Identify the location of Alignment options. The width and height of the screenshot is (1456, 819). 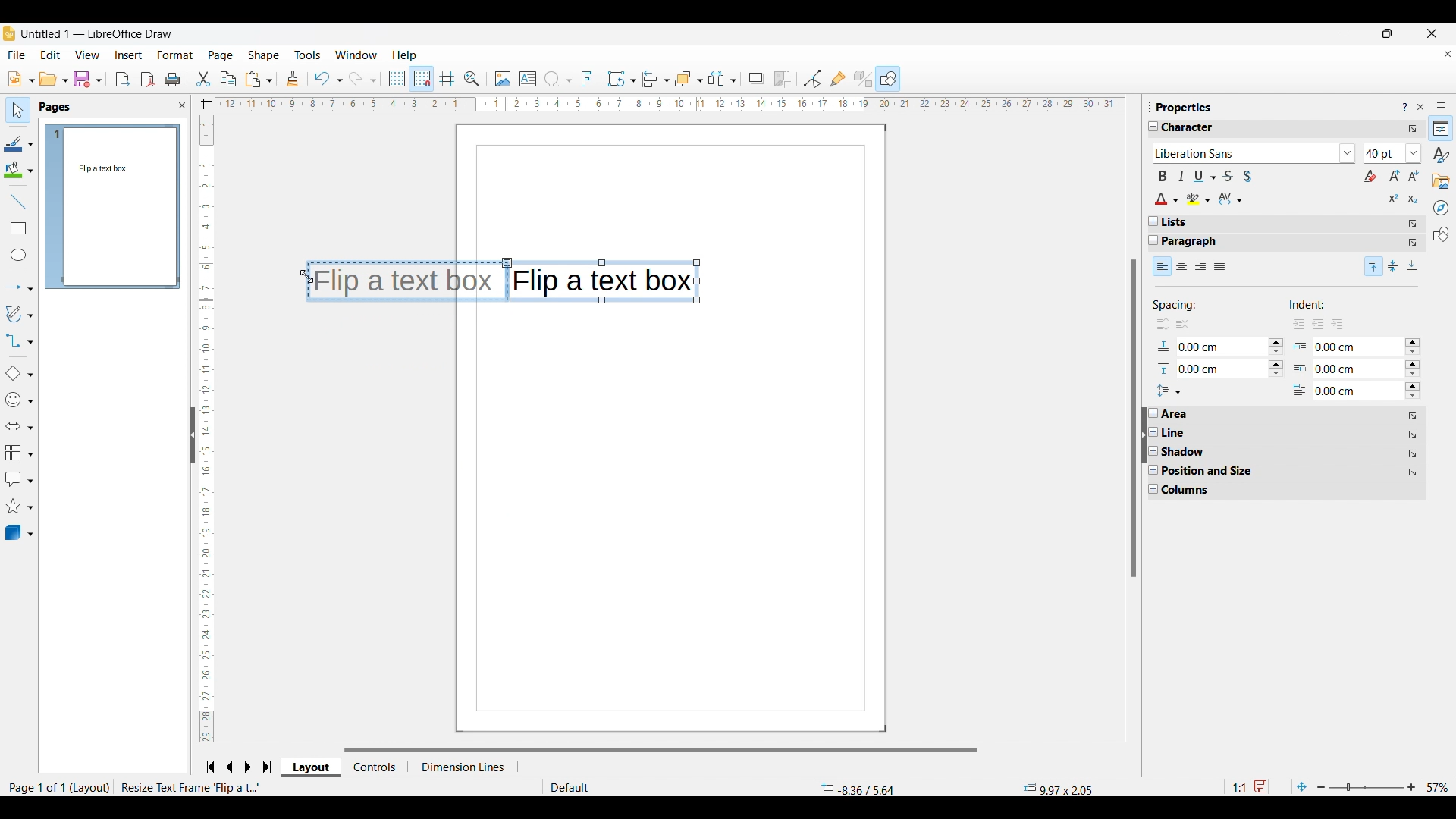
(655, 80).